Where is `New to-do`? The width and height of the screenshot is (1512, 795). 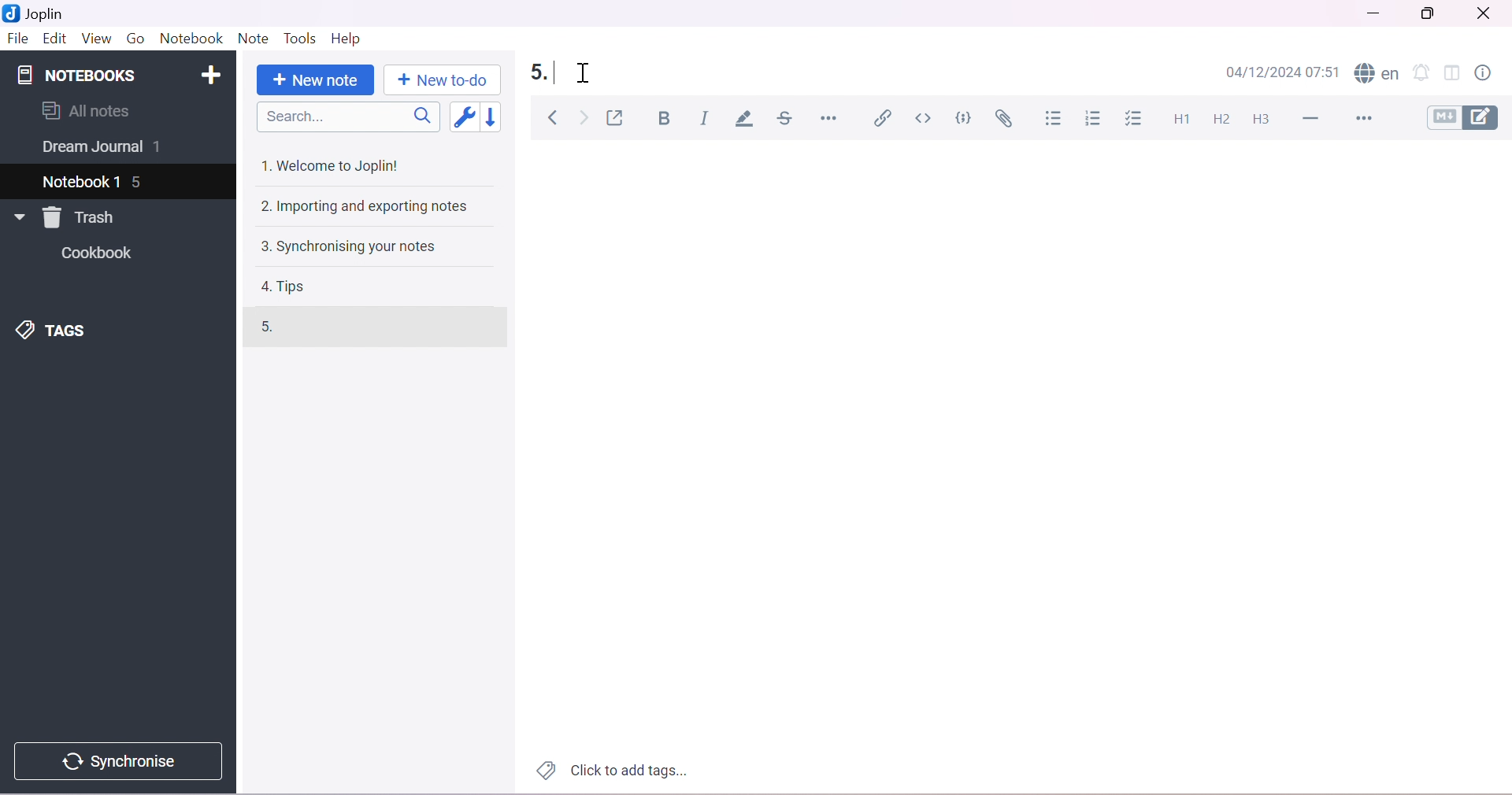
New to-do is located at coordinates (441, 80).